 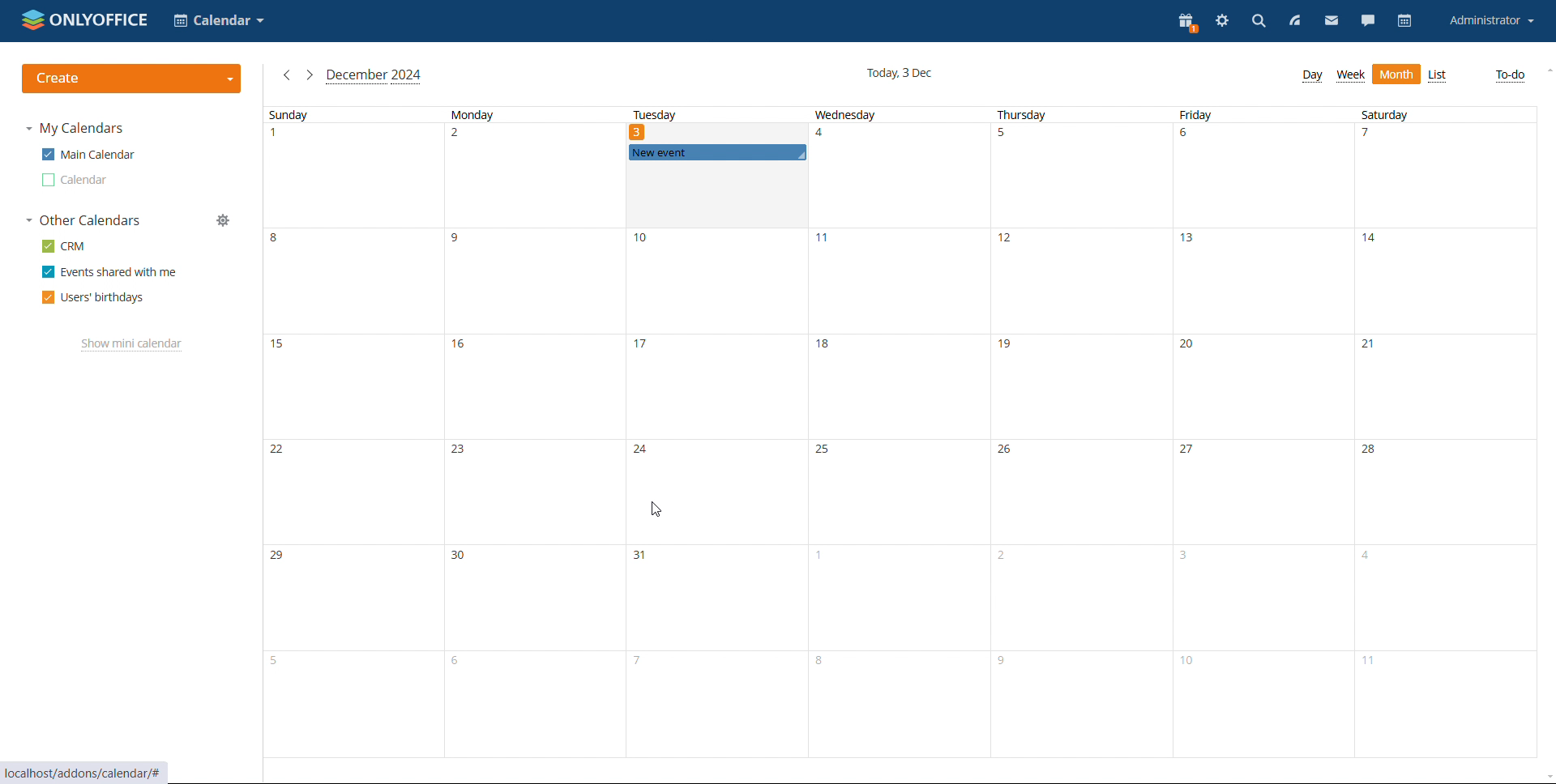 I want to click on date, so click(x=719, y=492).